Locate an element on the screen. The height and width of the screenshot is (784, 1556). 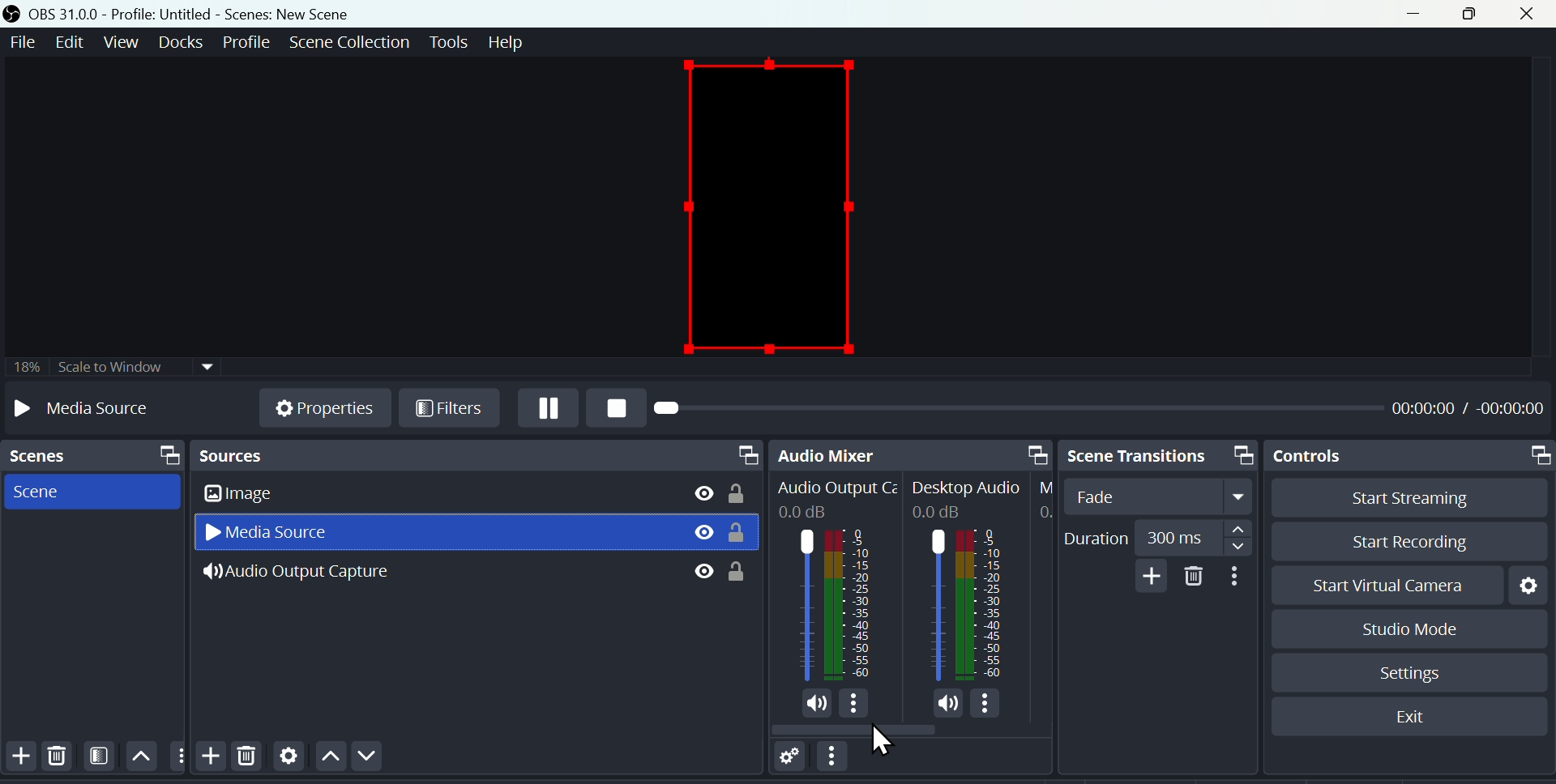
Move up is located at coordinates (141, 757).